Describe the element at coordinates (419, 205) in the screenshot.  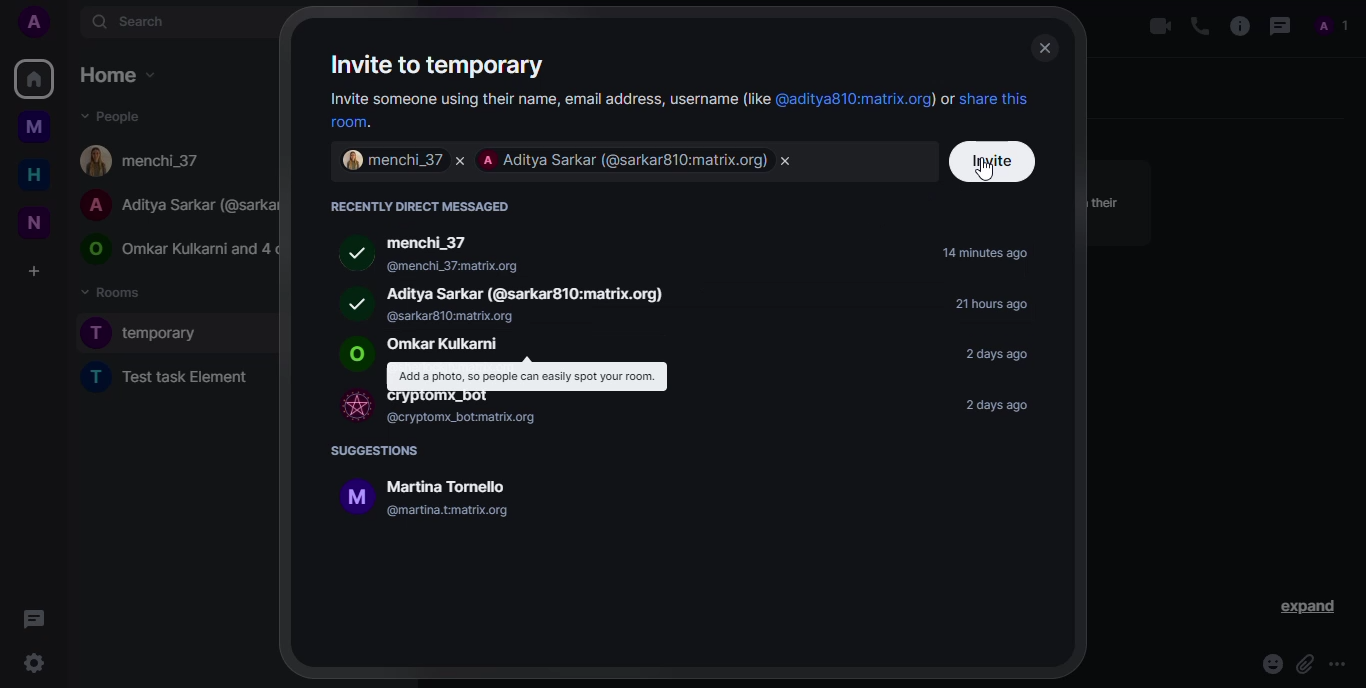
I see `recent` at that location.